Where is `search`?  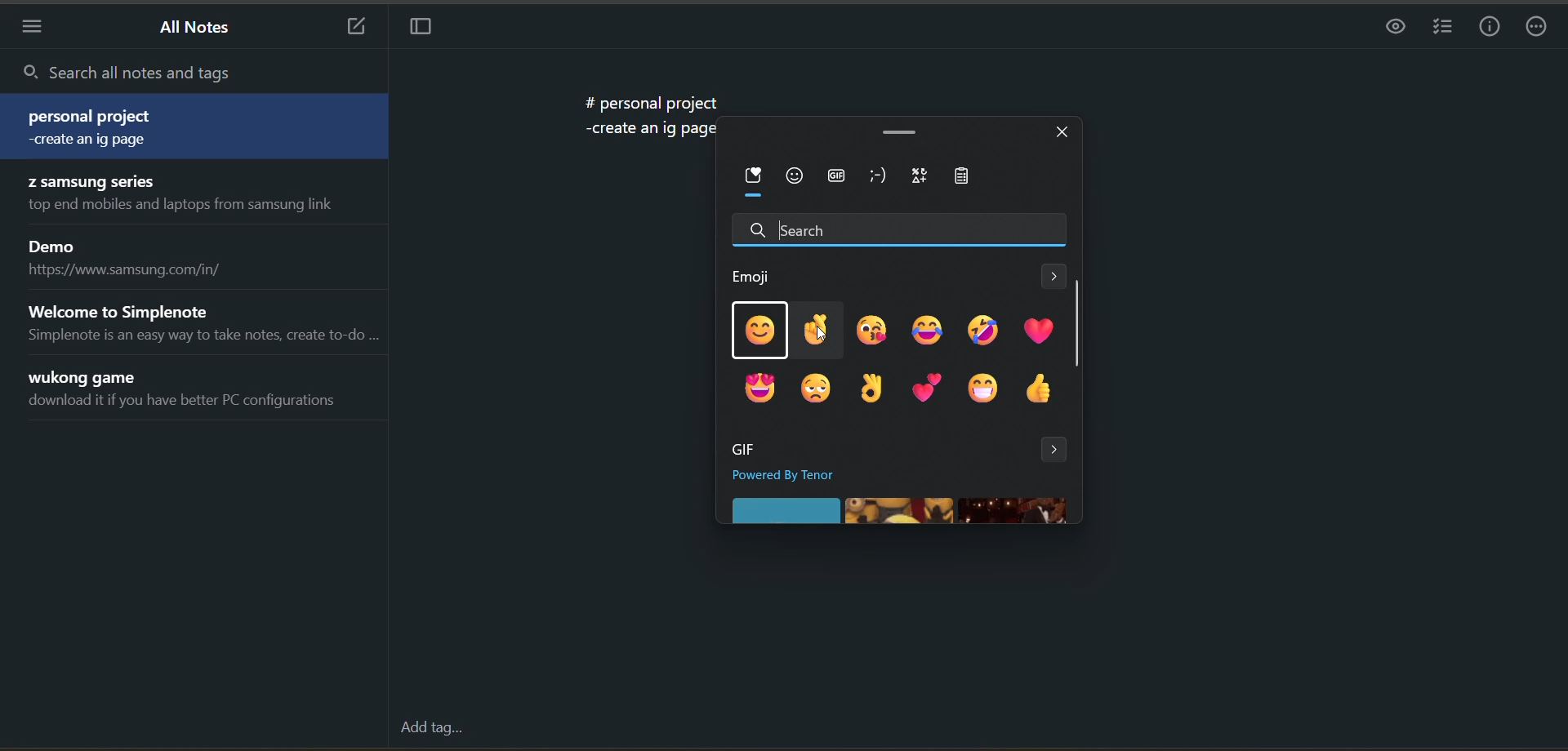
search is located at coordinates (191, 71).